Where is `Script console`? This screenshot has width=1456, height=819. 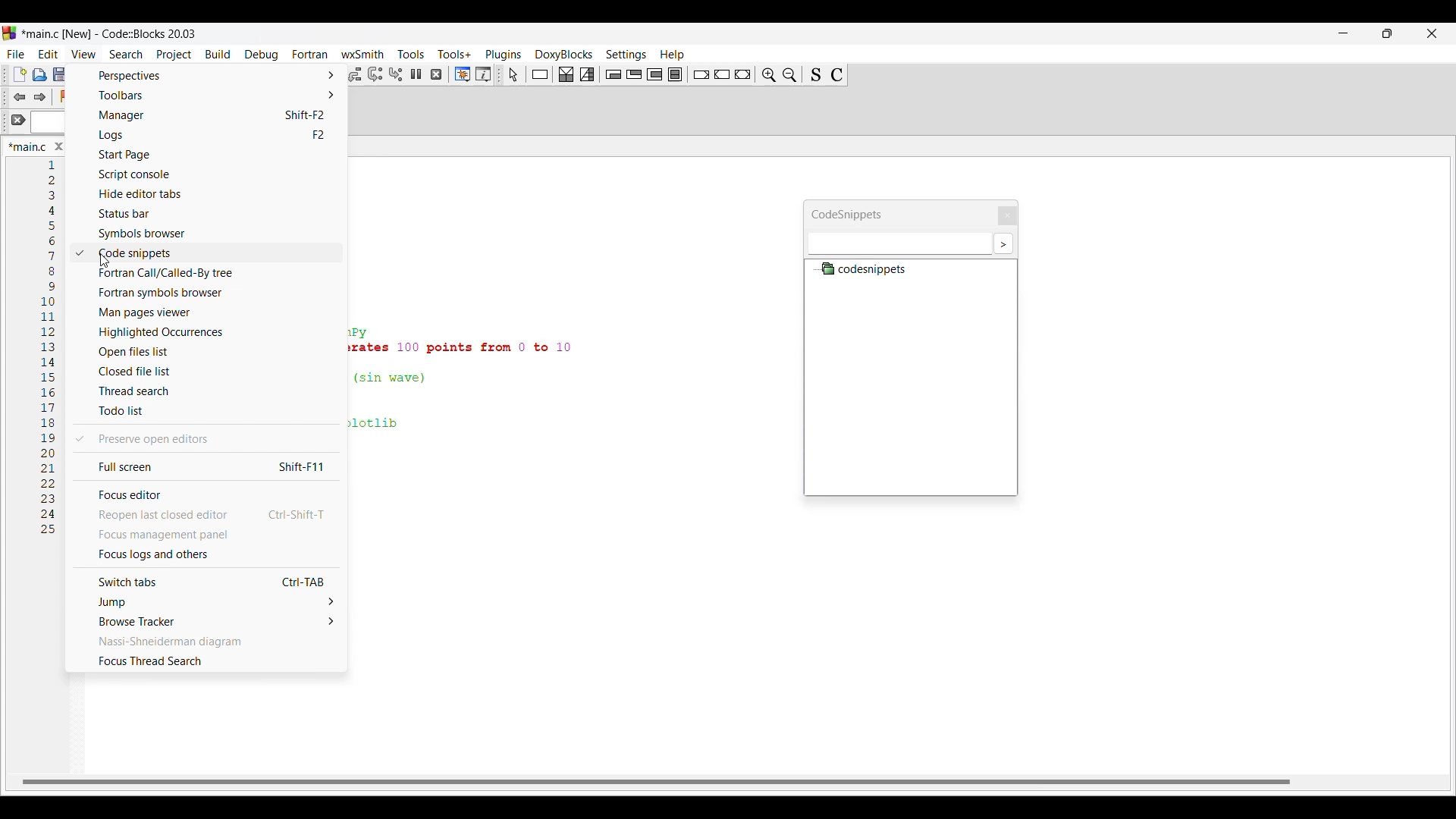 Script console is located at coordinates (218, 175).